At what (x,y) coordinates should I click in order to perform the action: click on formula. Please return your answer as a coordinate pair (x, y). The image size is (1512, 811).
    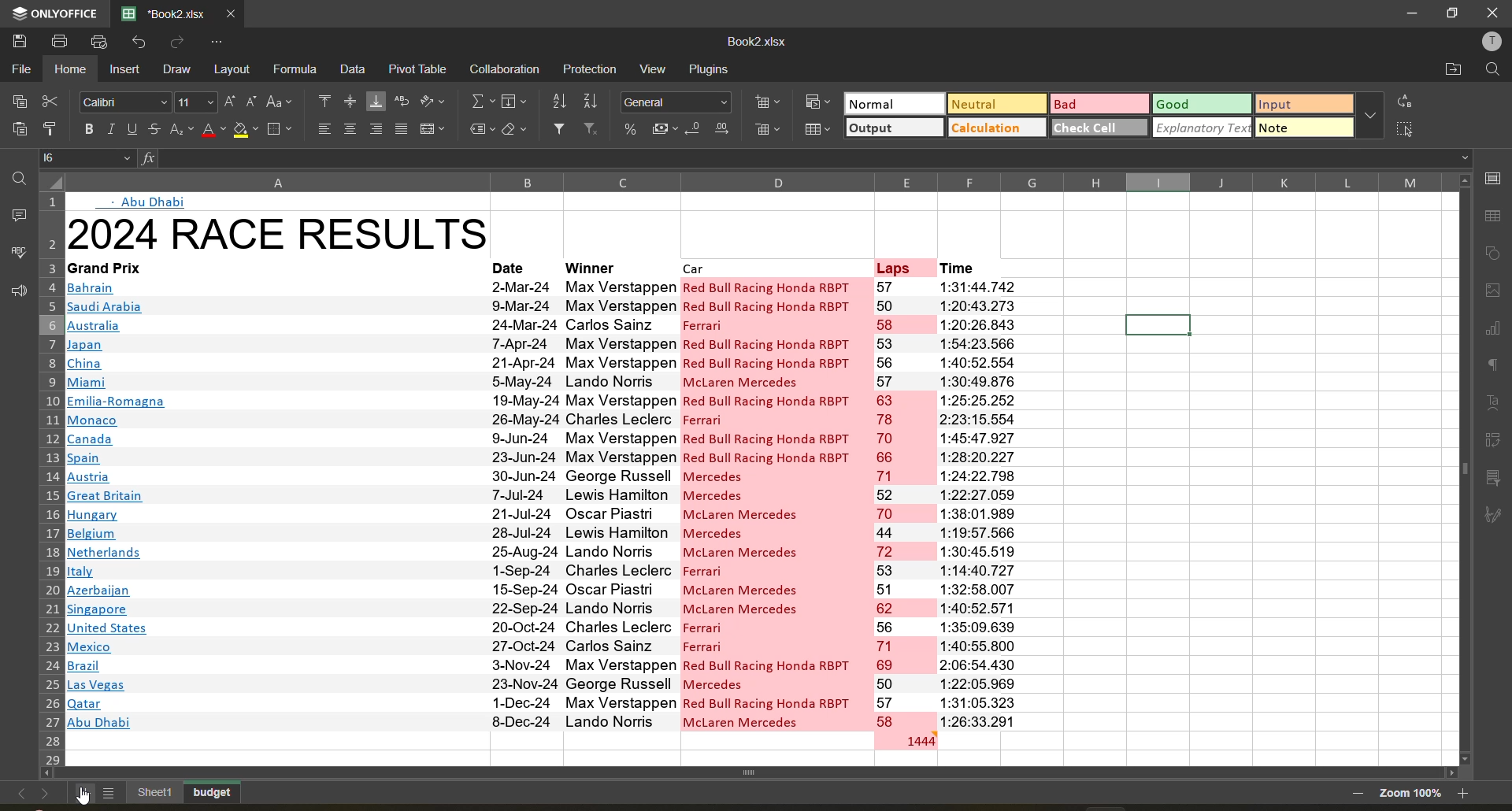
    Looking at the image, I should click on (295, 69).